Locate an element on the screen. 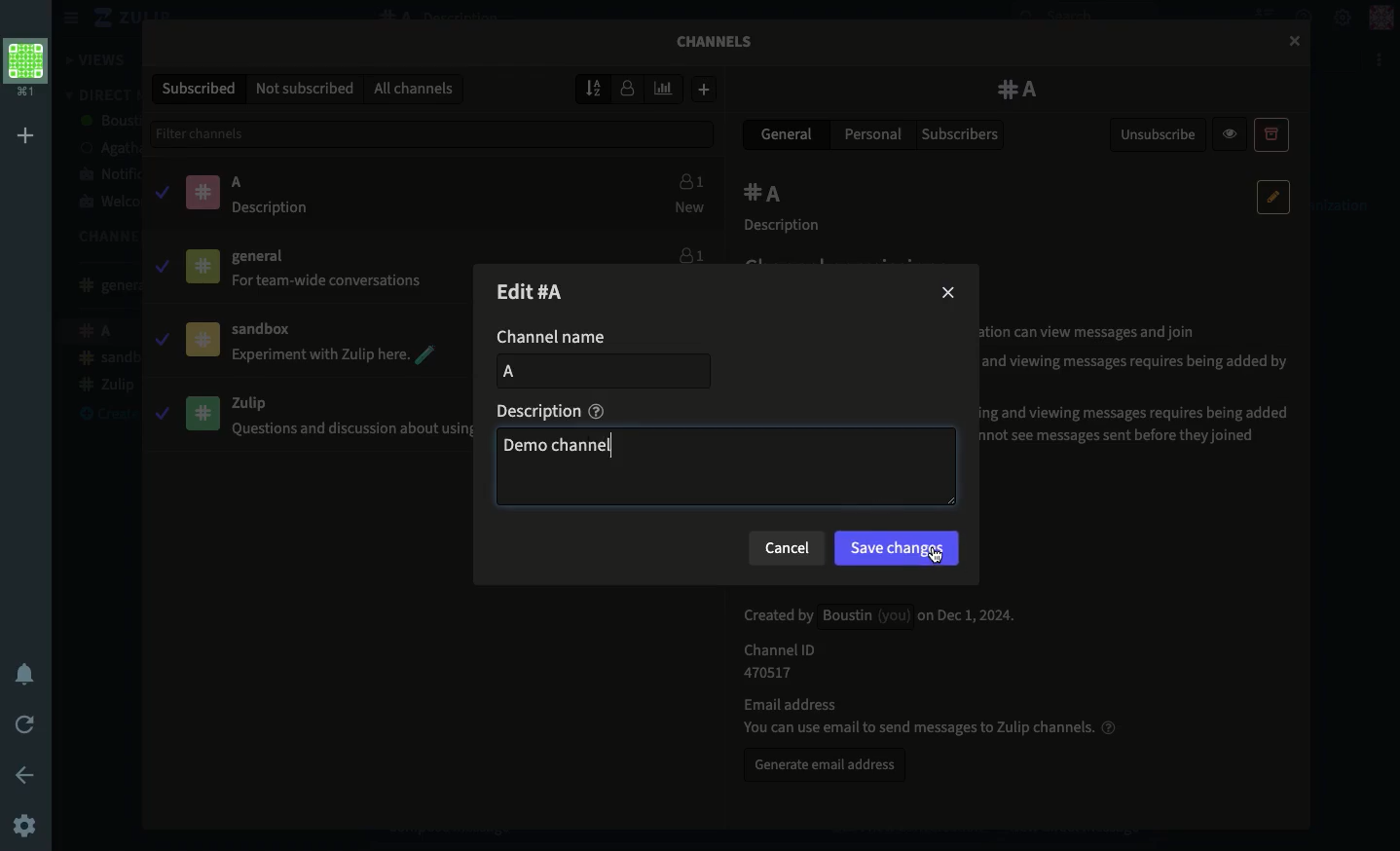 The image size is (1400, 851). Description is located at coordinates (788, 227).